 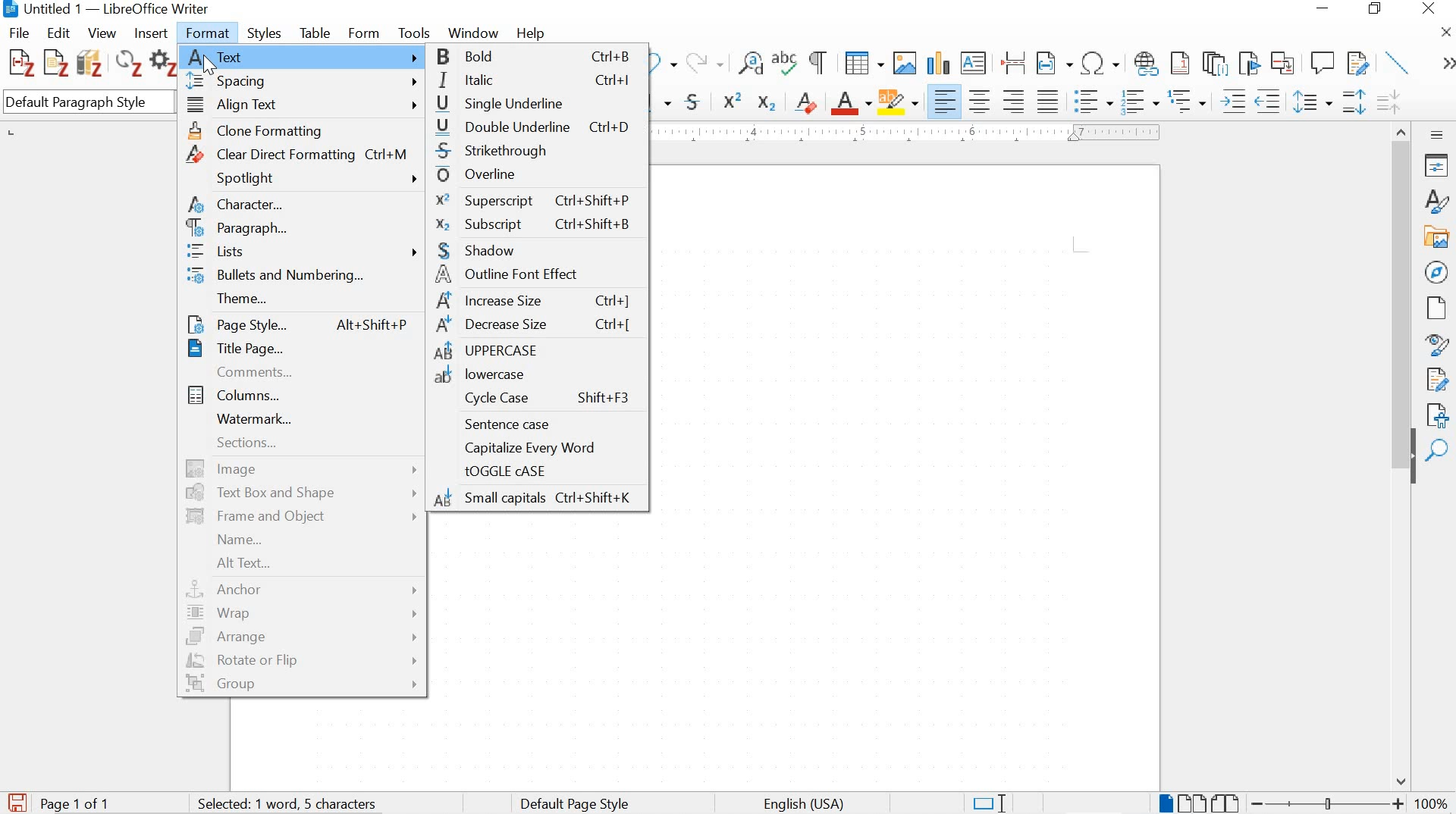 I want to click on justified, so click(x=1048, y=99).